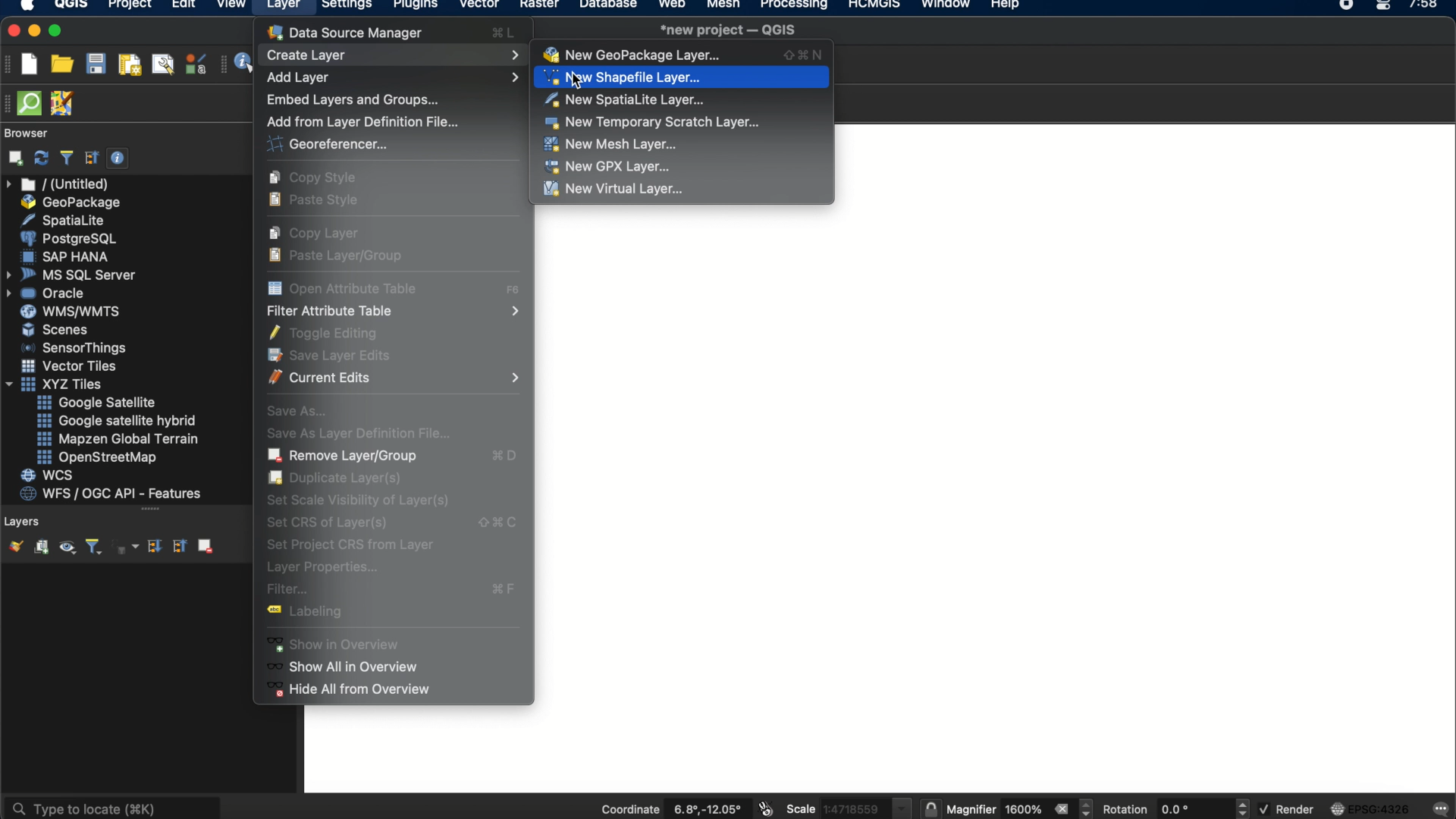 This screenshot has height=819, width=1456. I want to click on close, so click(12, 31).